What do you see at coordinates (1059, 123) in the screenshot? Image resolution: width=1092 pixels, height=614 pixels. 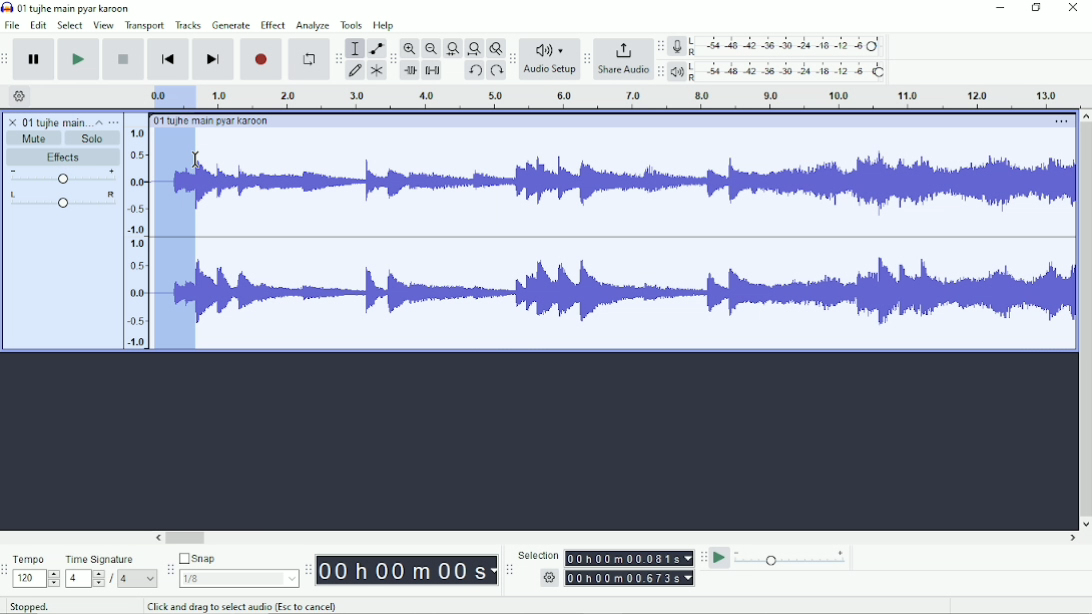 I see `Options` at bounding box center [1059, 123].